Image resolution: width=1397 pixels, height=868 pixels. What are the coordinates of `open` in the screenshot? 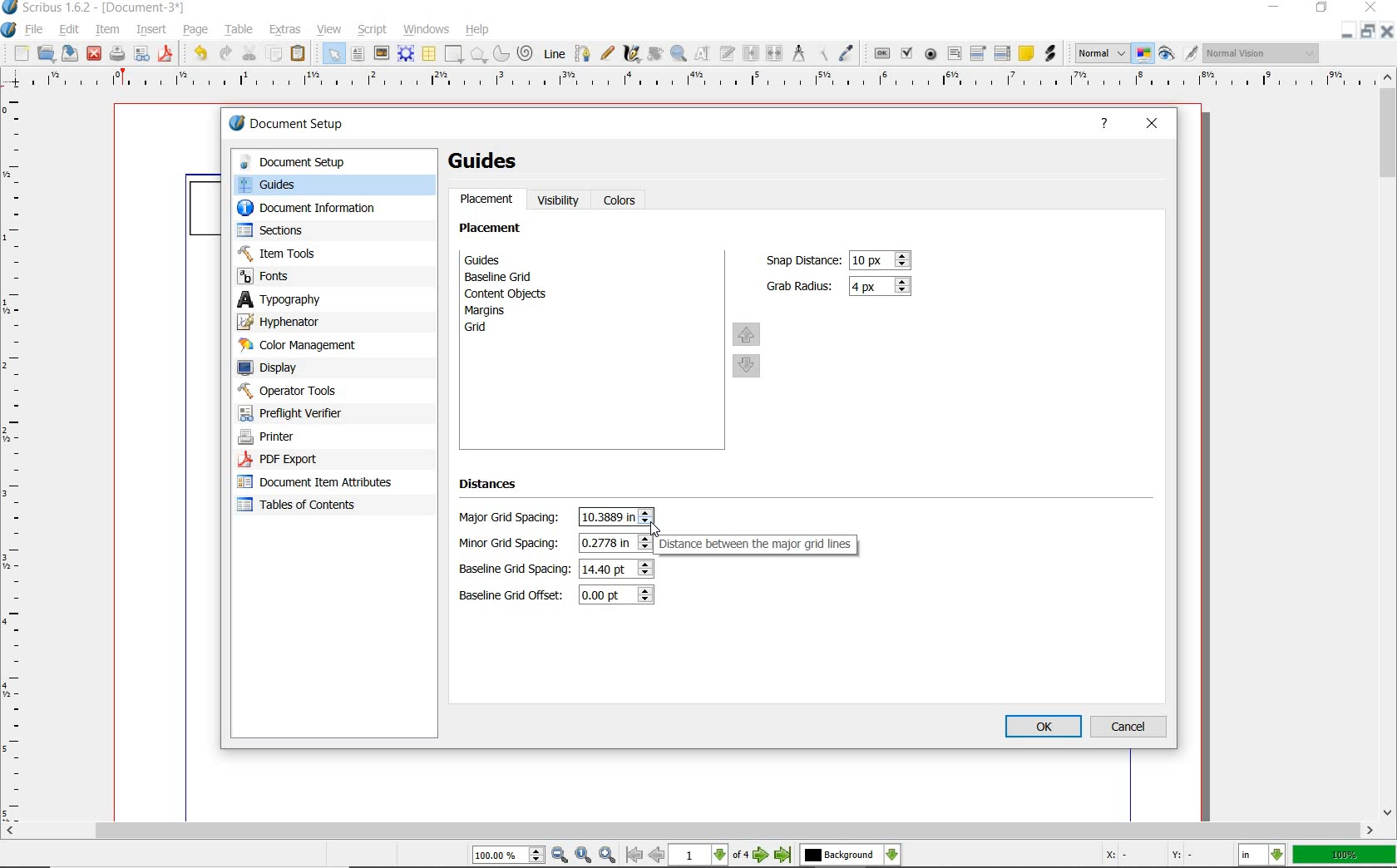 It's located at (46, 53).